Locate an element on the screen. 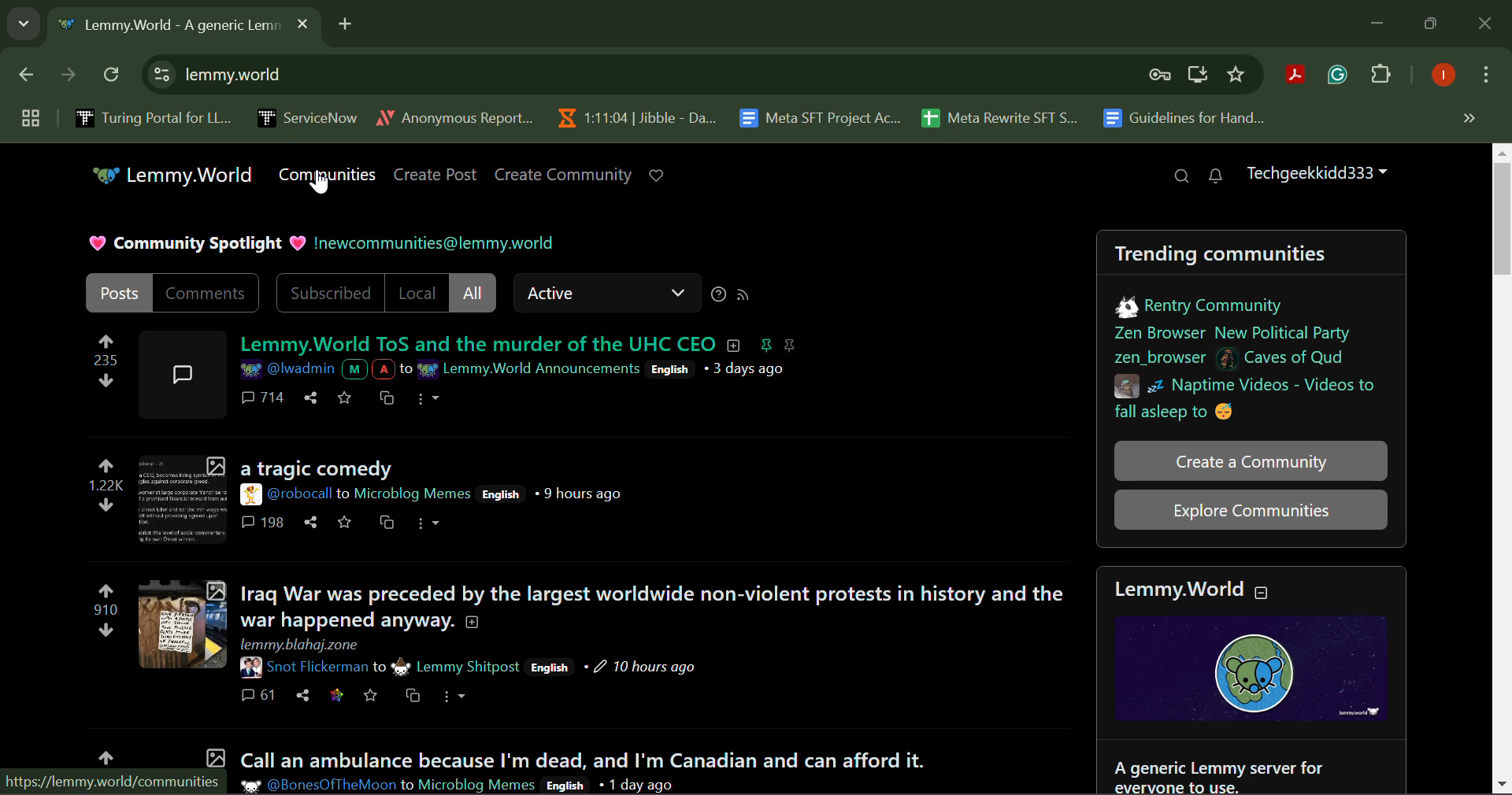 The height and width of the screenshot is (795, 1512). Close Window is located at coordinates (1485, 25).